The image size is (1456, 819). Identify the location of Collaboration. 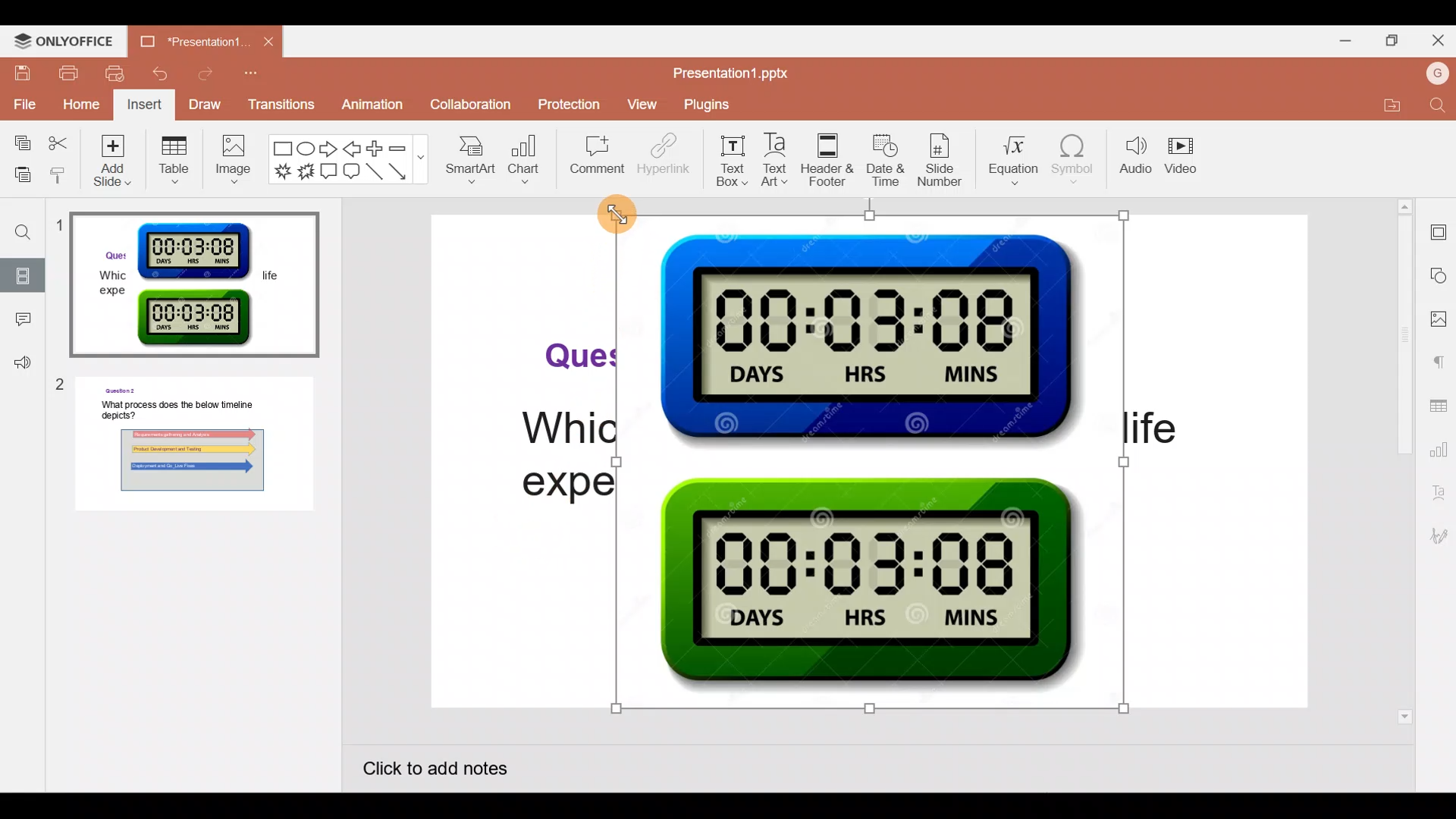
(464, 104).